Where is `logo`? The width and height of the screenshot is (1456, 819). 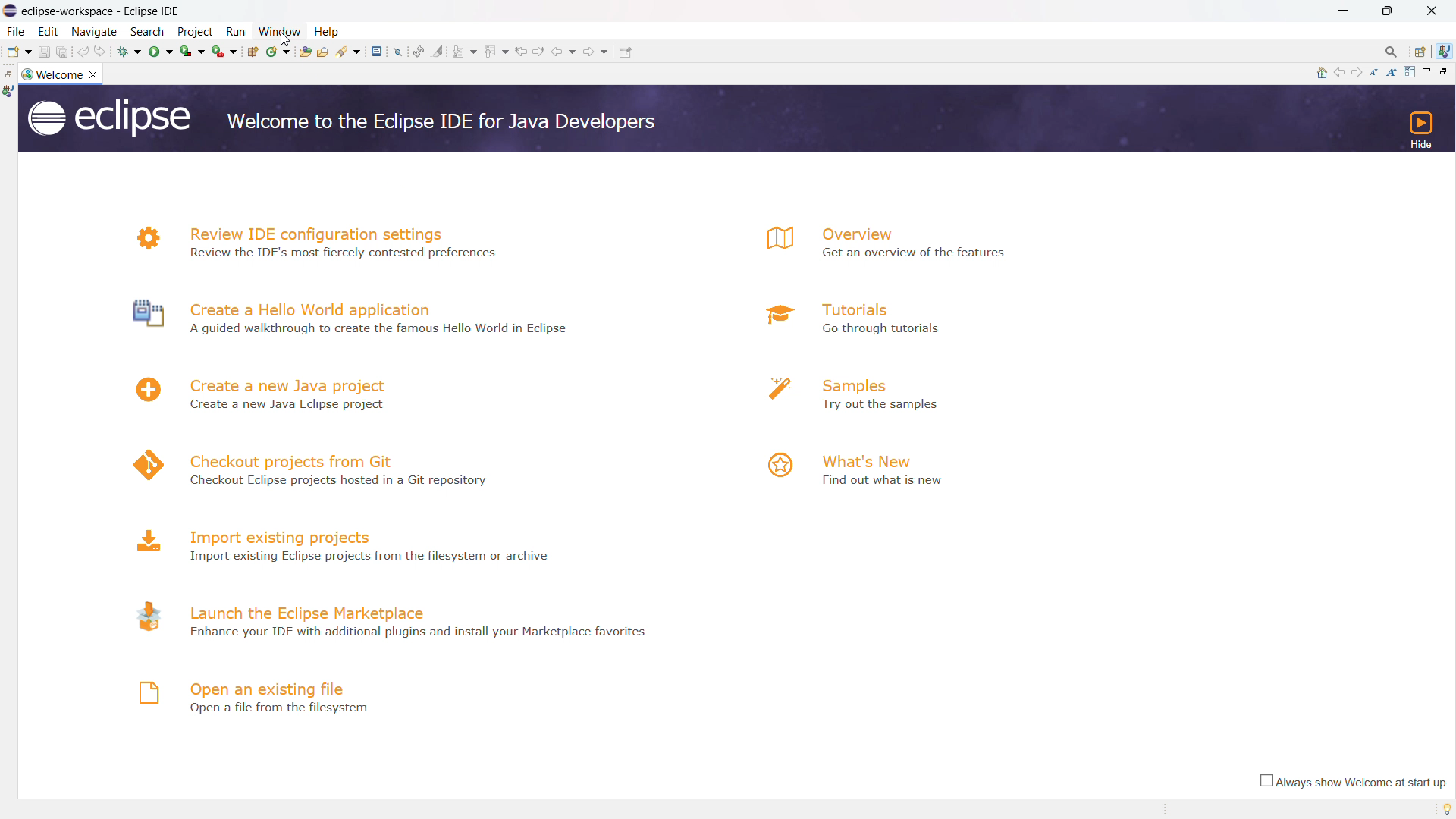 logo is located at coordinates (141, 315).